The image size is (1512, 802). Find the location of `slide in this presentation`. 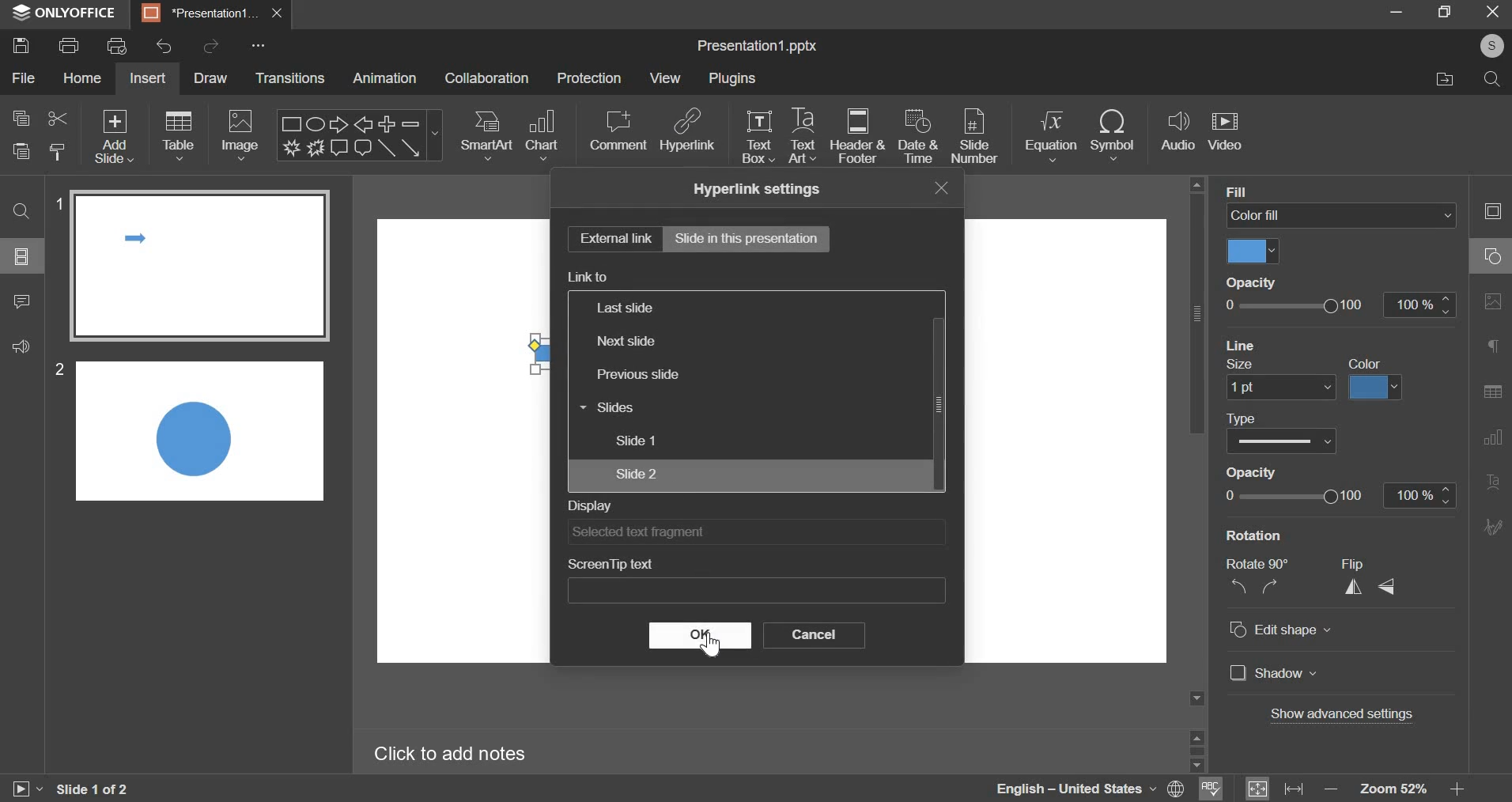

slide in this presentation is located at coordinates (747, 238).